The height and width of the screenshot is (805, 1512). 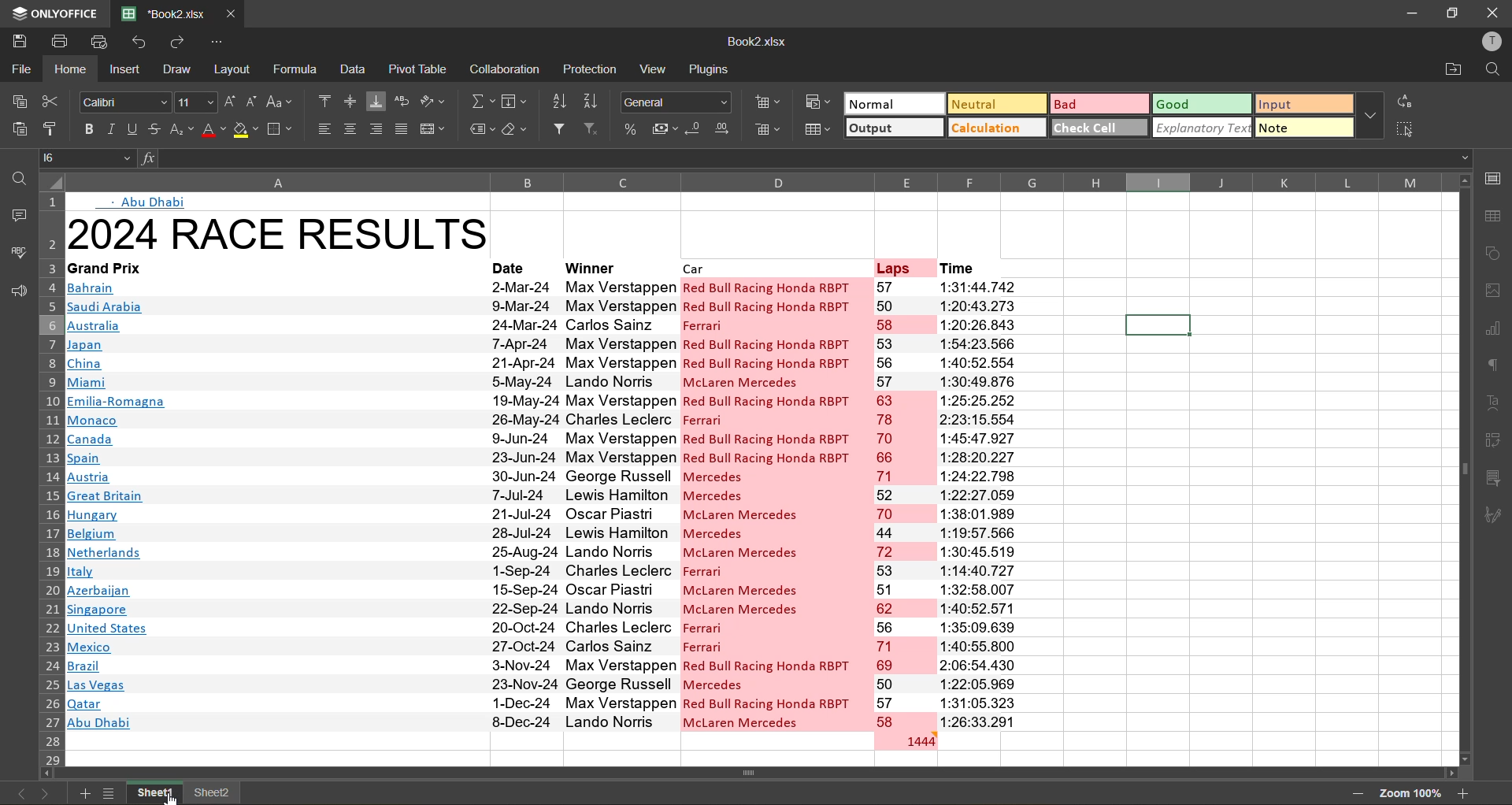 What do you see at coordinates (516, 131) in the screenshot?
I see `clear` at bounding box center [516, 131].